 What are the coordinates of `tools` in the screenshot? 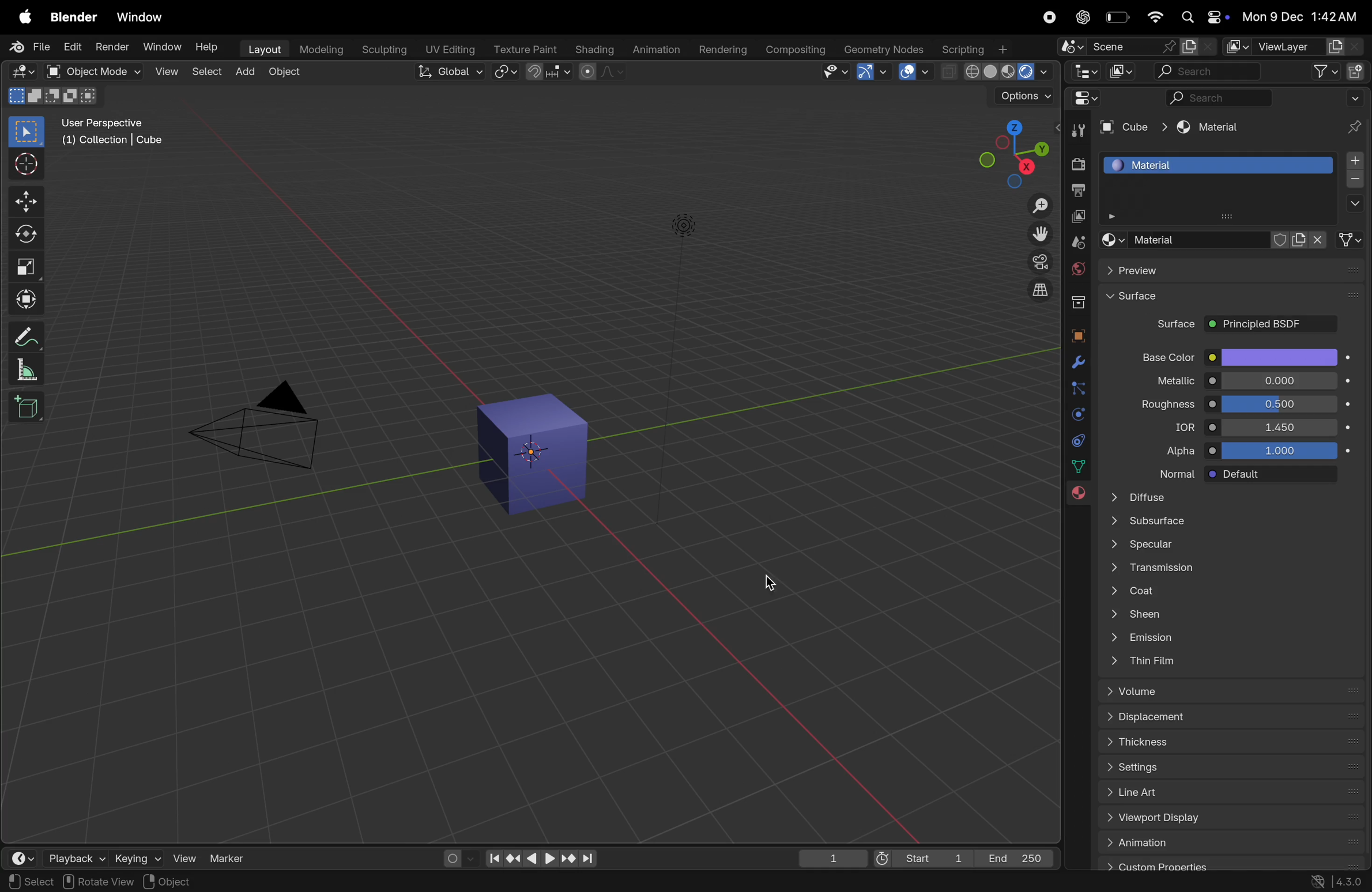 It's located at (1077, 129).